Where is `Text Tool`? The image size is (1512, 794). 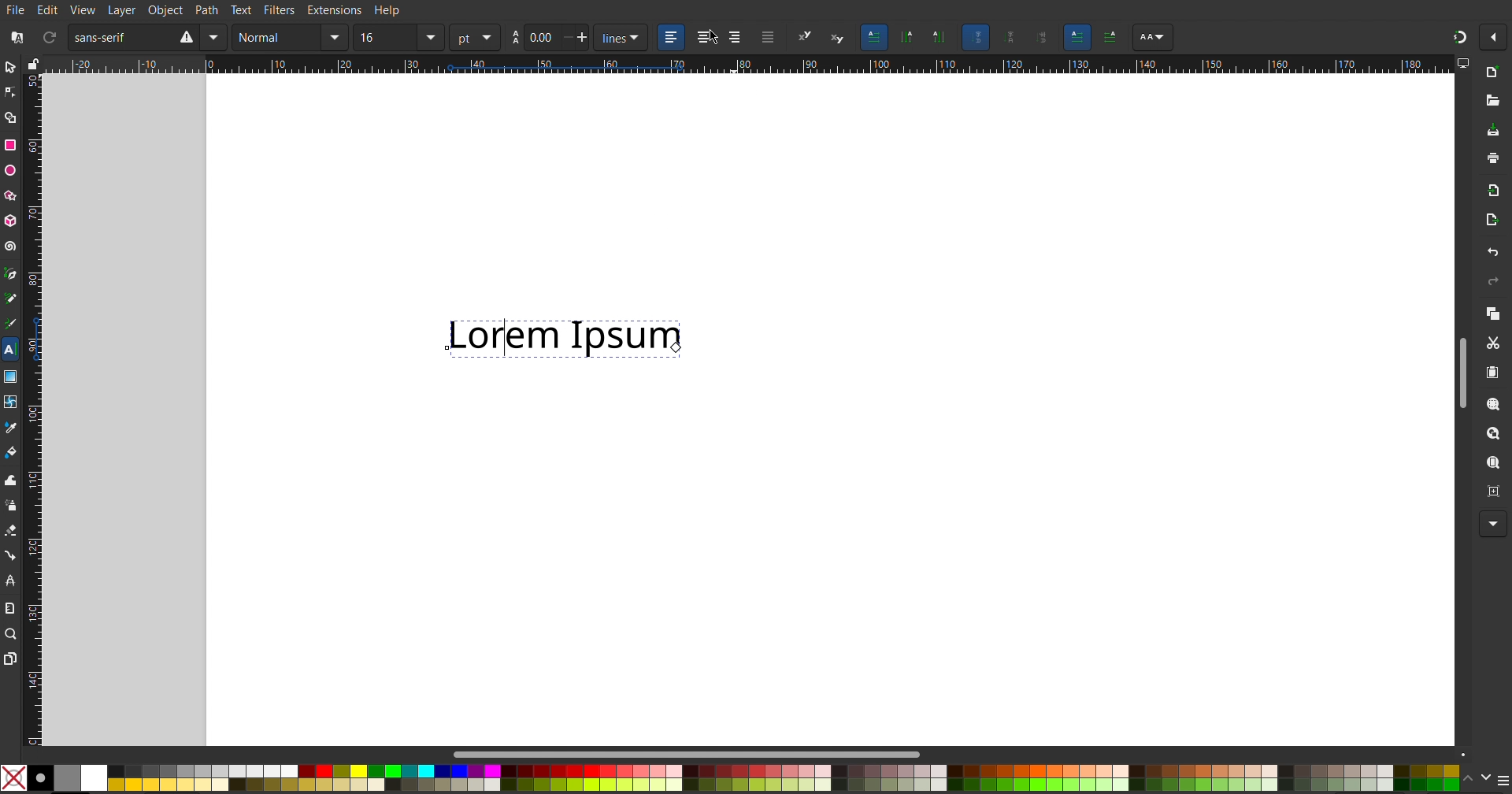
Text Tool is located at coordinates (13, 351).